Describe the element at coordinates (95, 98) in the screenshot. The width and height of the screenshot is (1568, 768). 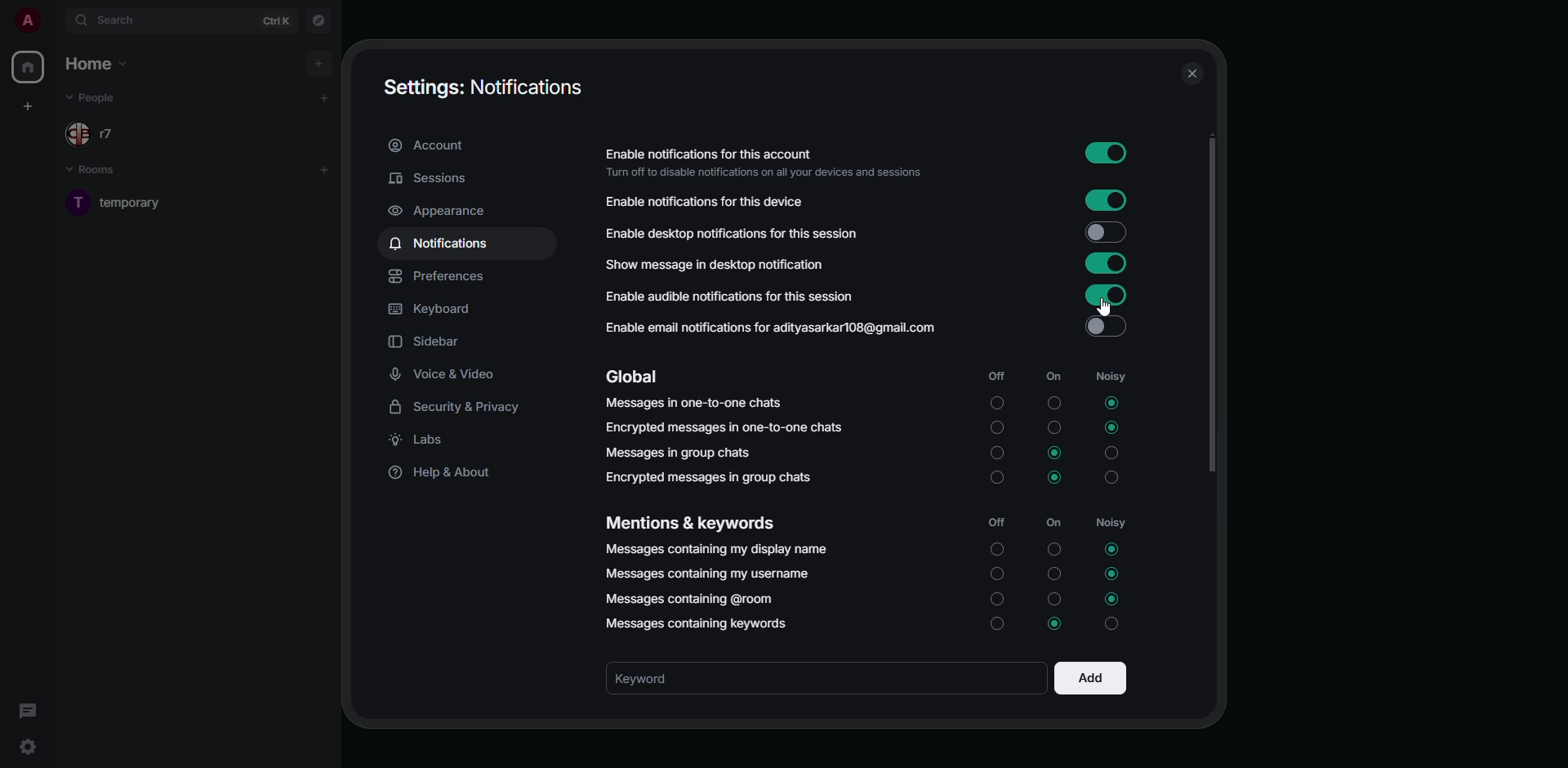
I see `people` at that location.